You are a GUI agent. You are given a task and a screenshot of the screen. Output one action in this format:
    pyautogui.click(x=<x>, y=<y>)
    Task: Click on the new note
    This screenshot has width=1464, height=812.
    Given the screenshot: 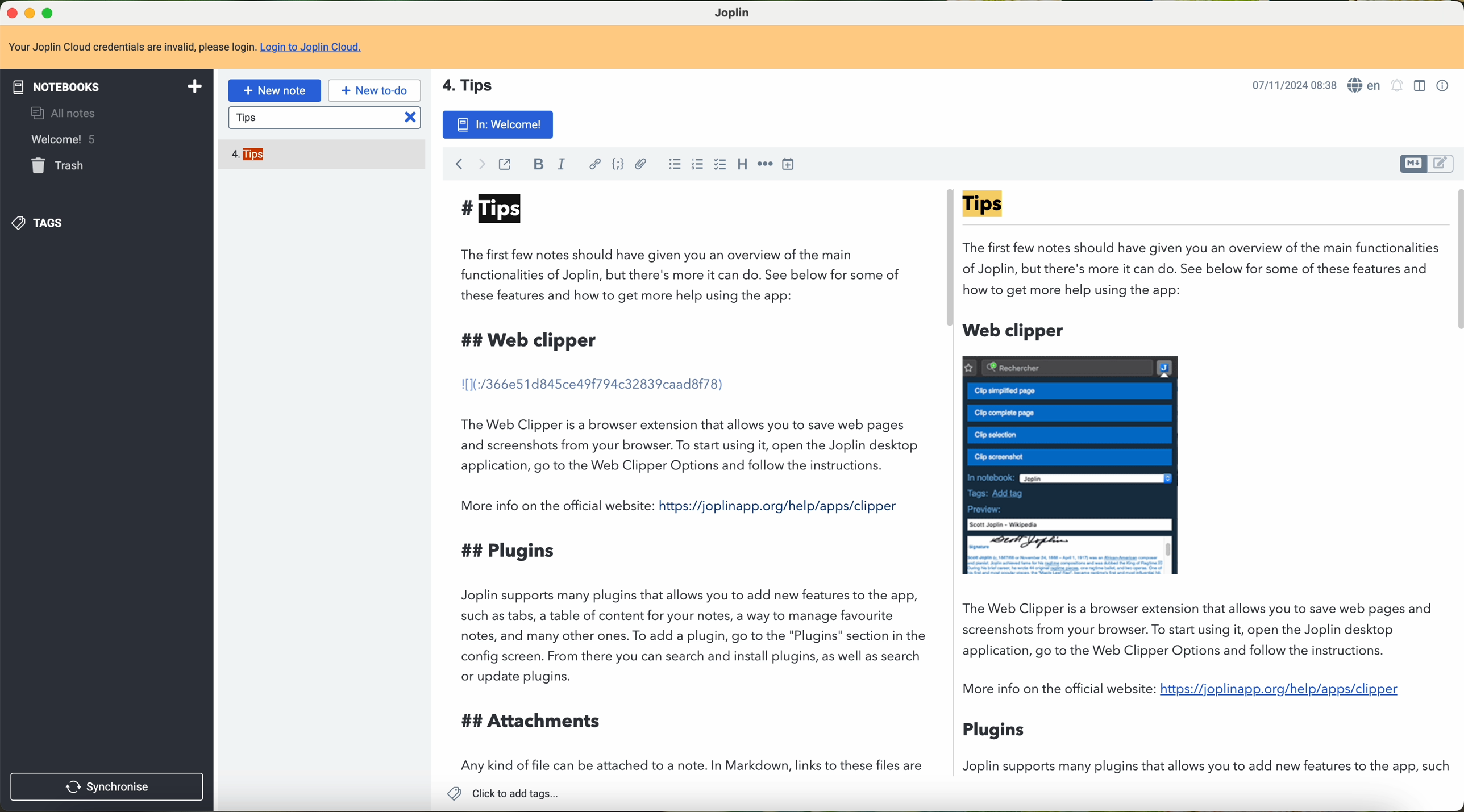 What is the action you would take?
    pyautogui.click(x=275, y=90)
    